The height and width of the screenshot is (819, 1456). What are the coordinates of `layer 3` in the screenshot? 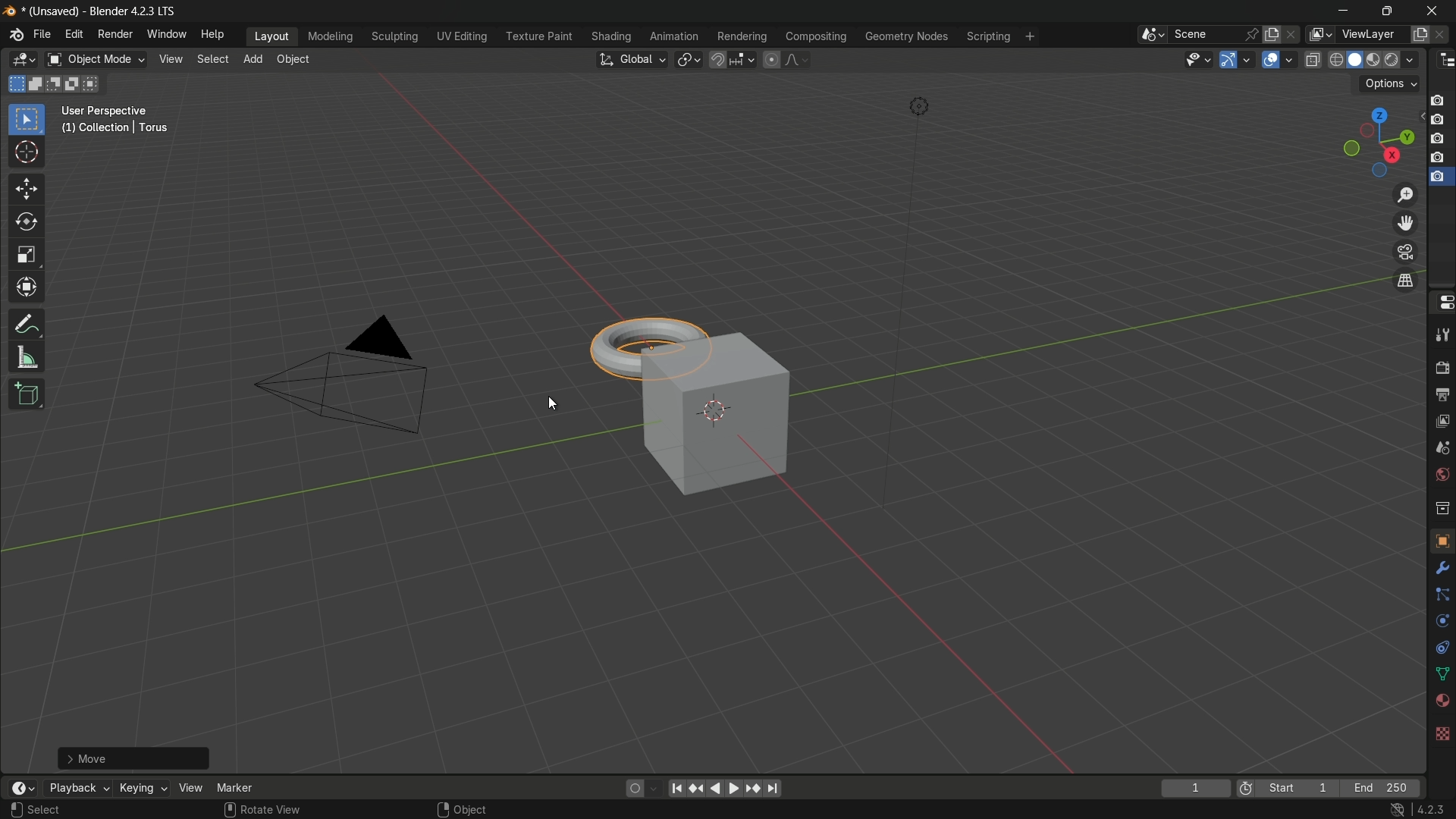 It's located at (1437, 139).